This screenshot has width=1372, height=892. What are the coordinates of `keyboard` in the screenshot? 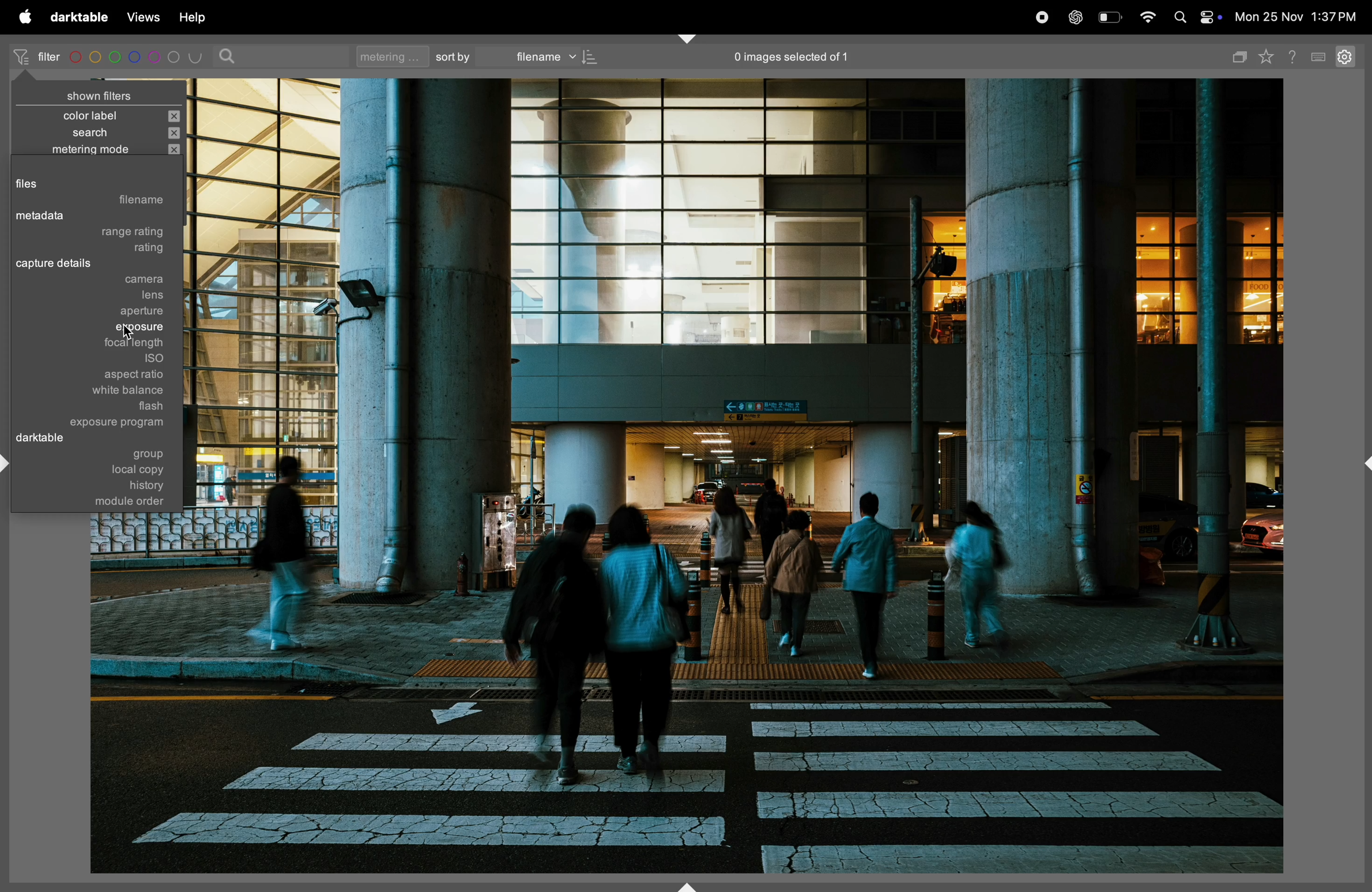 It's located at (1320, 55).